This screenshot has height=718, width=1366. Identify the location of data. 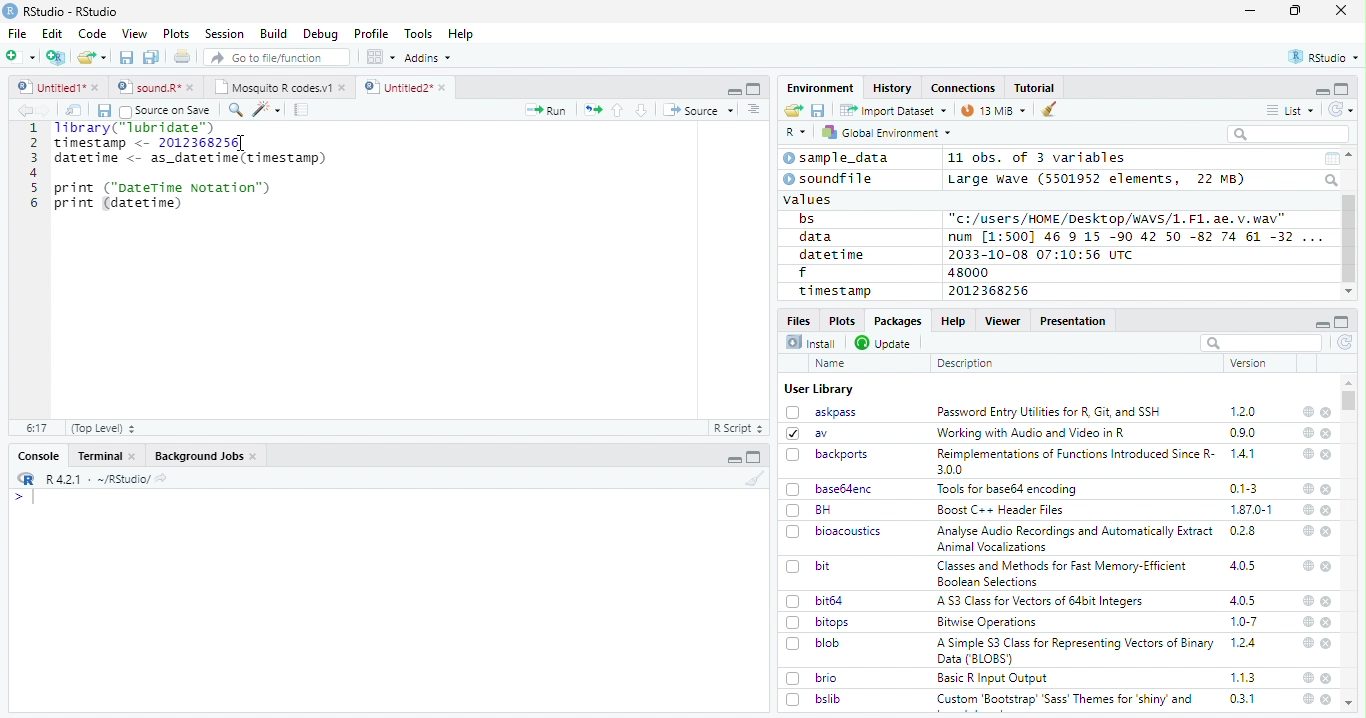
(819, 237).